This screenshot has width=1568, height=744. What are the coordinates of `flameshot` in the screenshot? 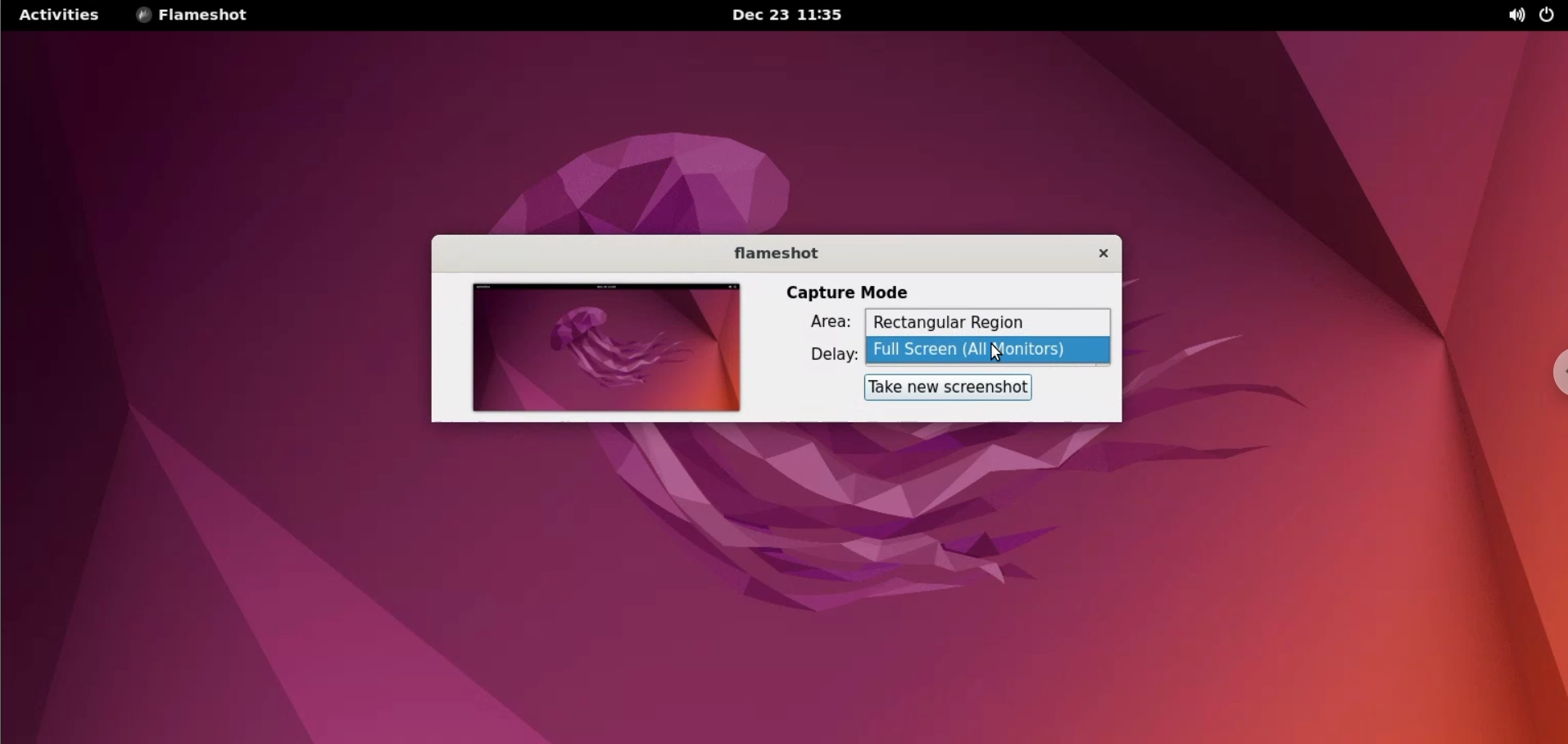 It's located at (776, 252).